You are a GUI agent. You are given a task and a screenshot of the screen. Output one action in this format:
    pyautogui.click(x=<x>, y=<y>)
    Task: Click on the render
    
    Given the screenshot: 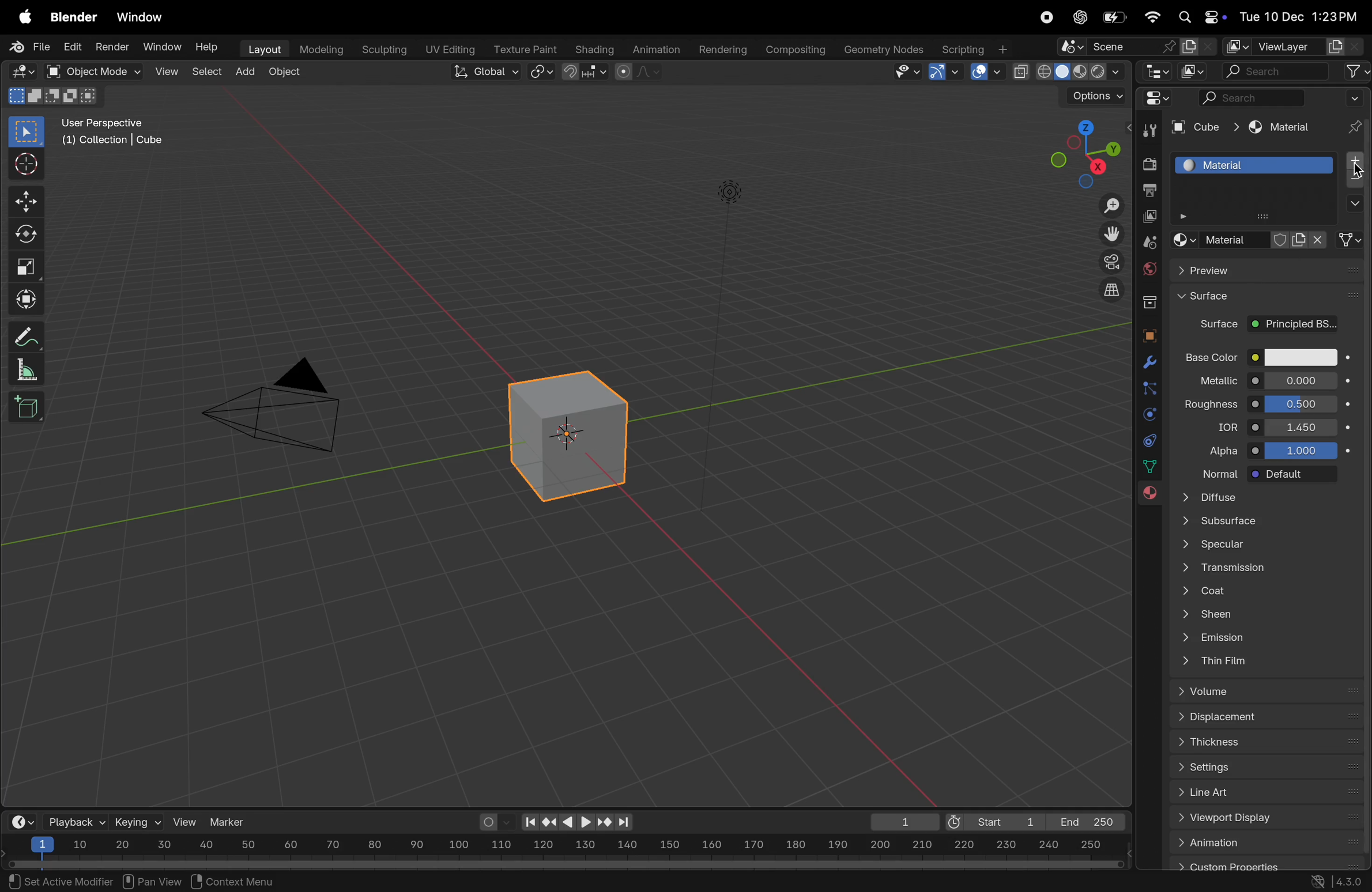 What is the action you would take?
    pyautogui.click(x=110, y=46)
    